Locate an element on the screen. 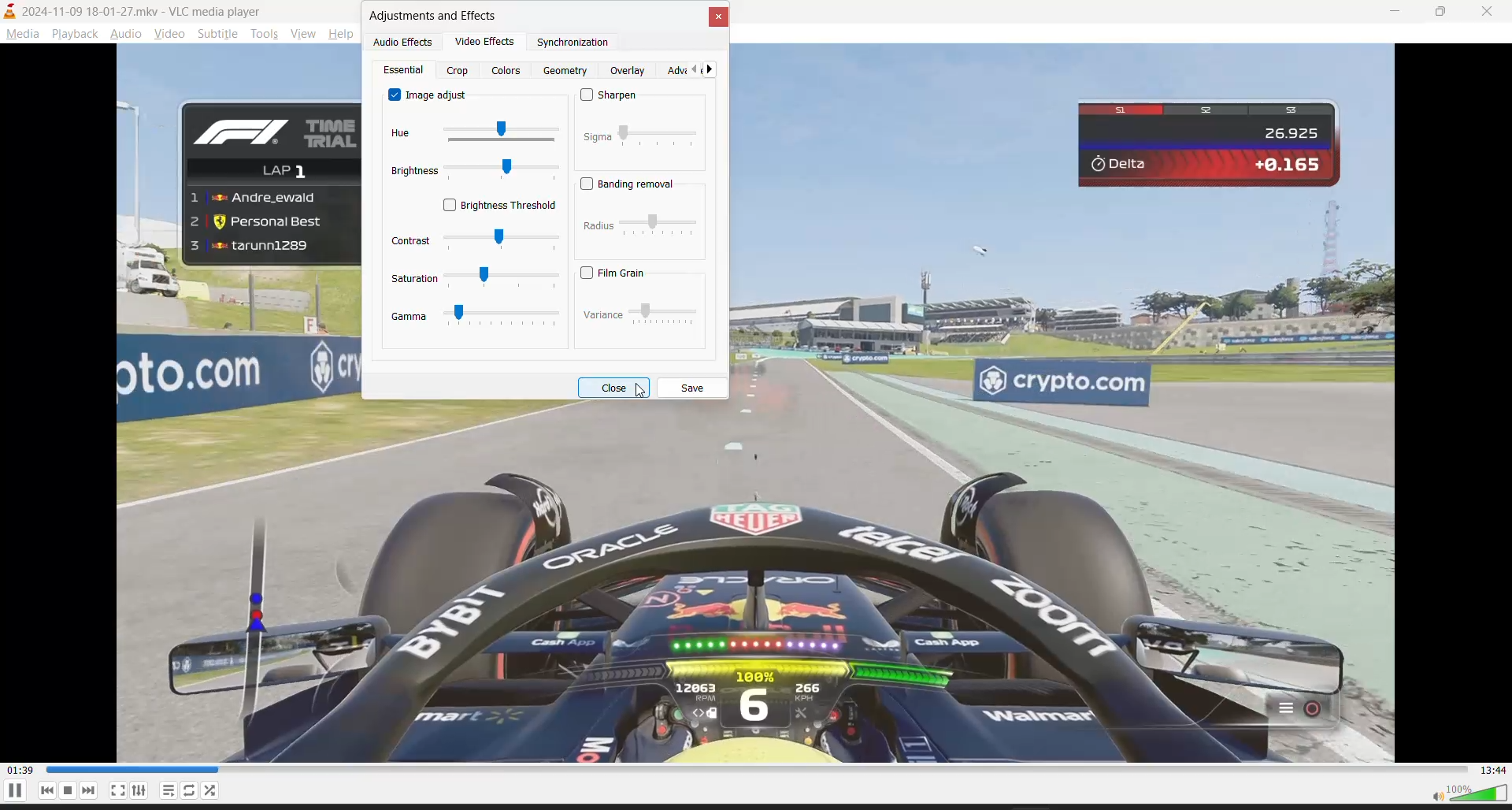 This screenshot has height=810, width=1512. loop is located at coordinates (193, 790).